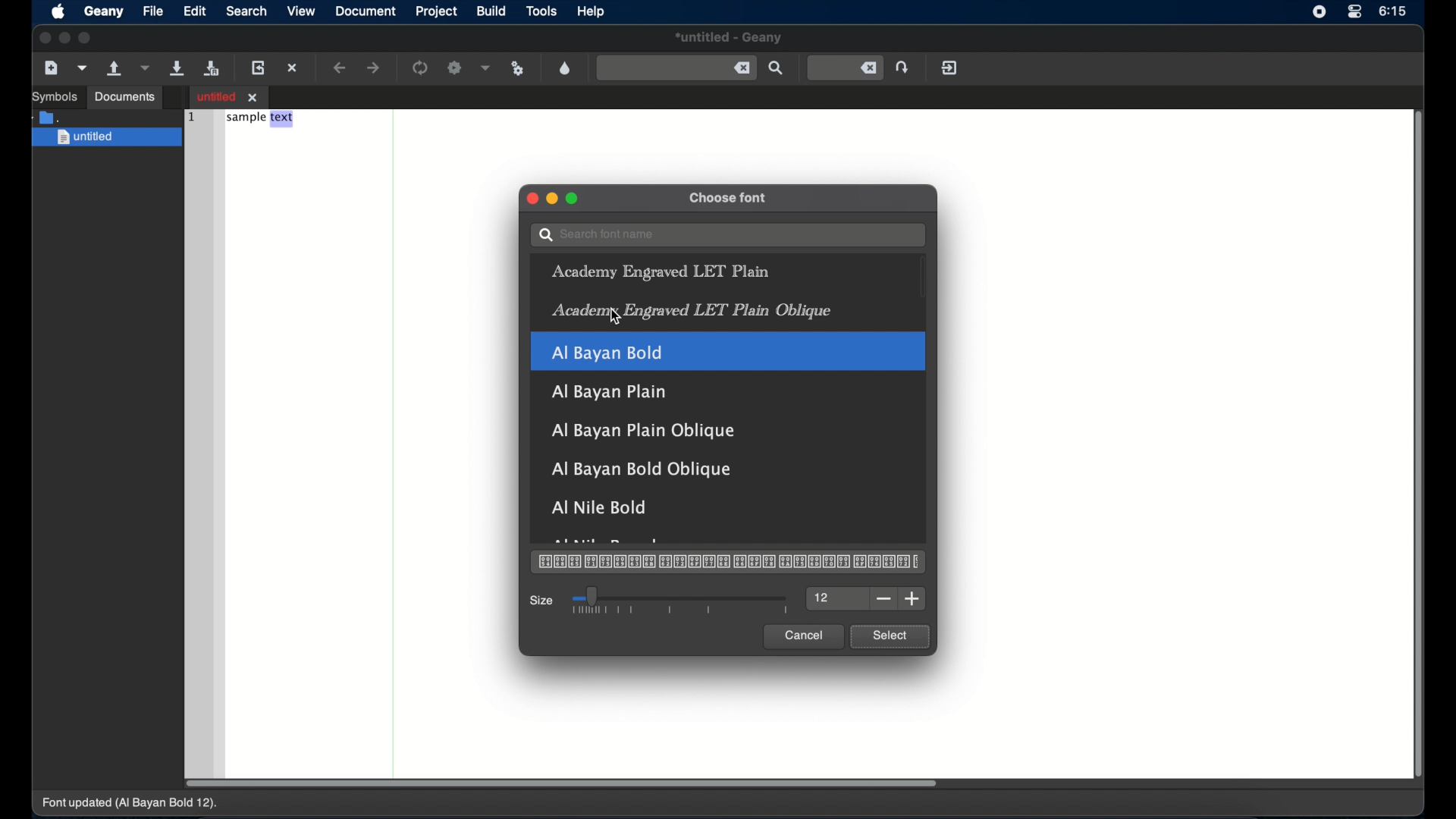 The image size is (1456, 819). I want to click on 12, so click(824, 599).